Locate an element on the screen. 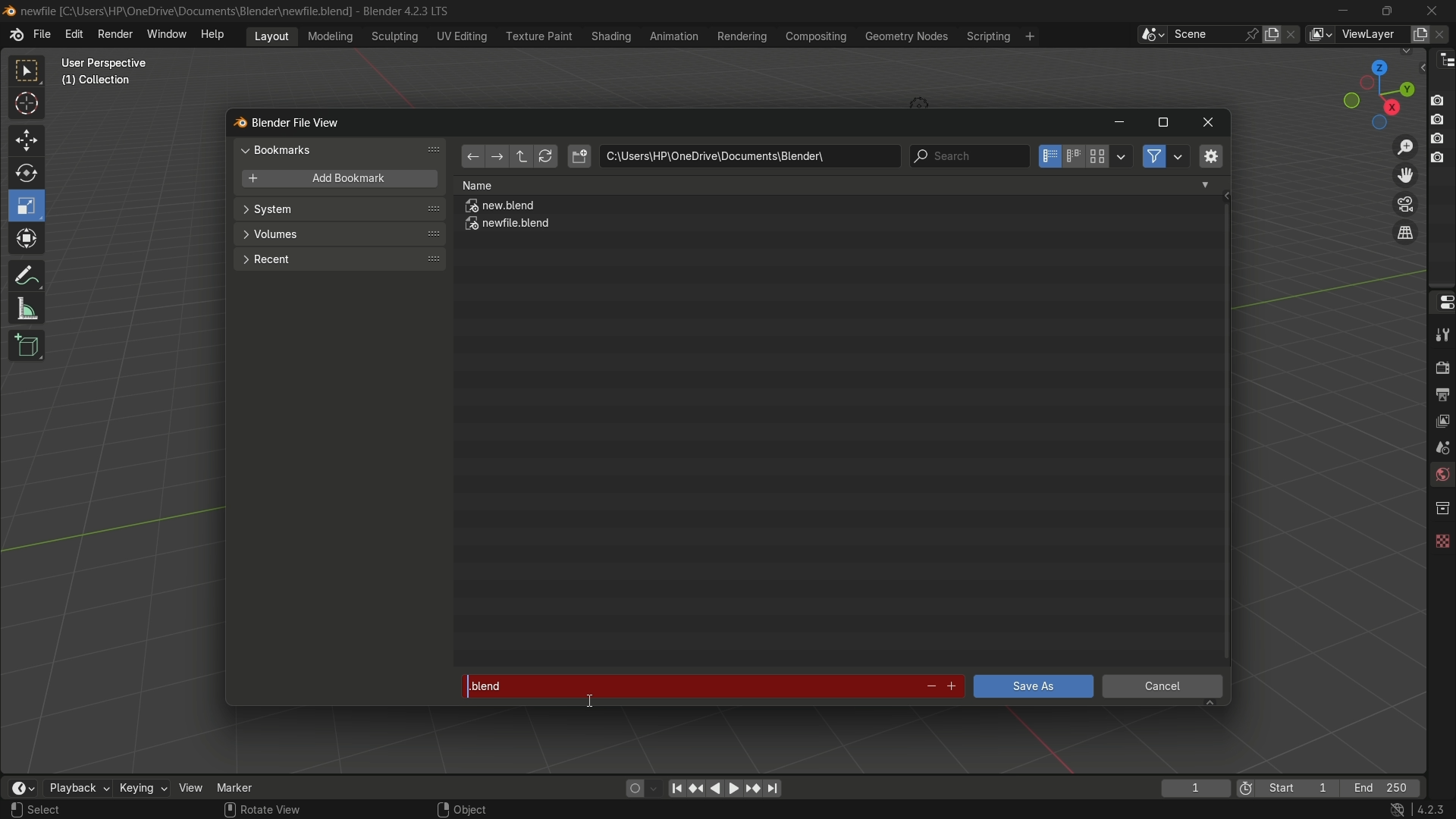 The height and width of the screenshot is (819, 1456). Buttons is located at coordinates (1443, 127).